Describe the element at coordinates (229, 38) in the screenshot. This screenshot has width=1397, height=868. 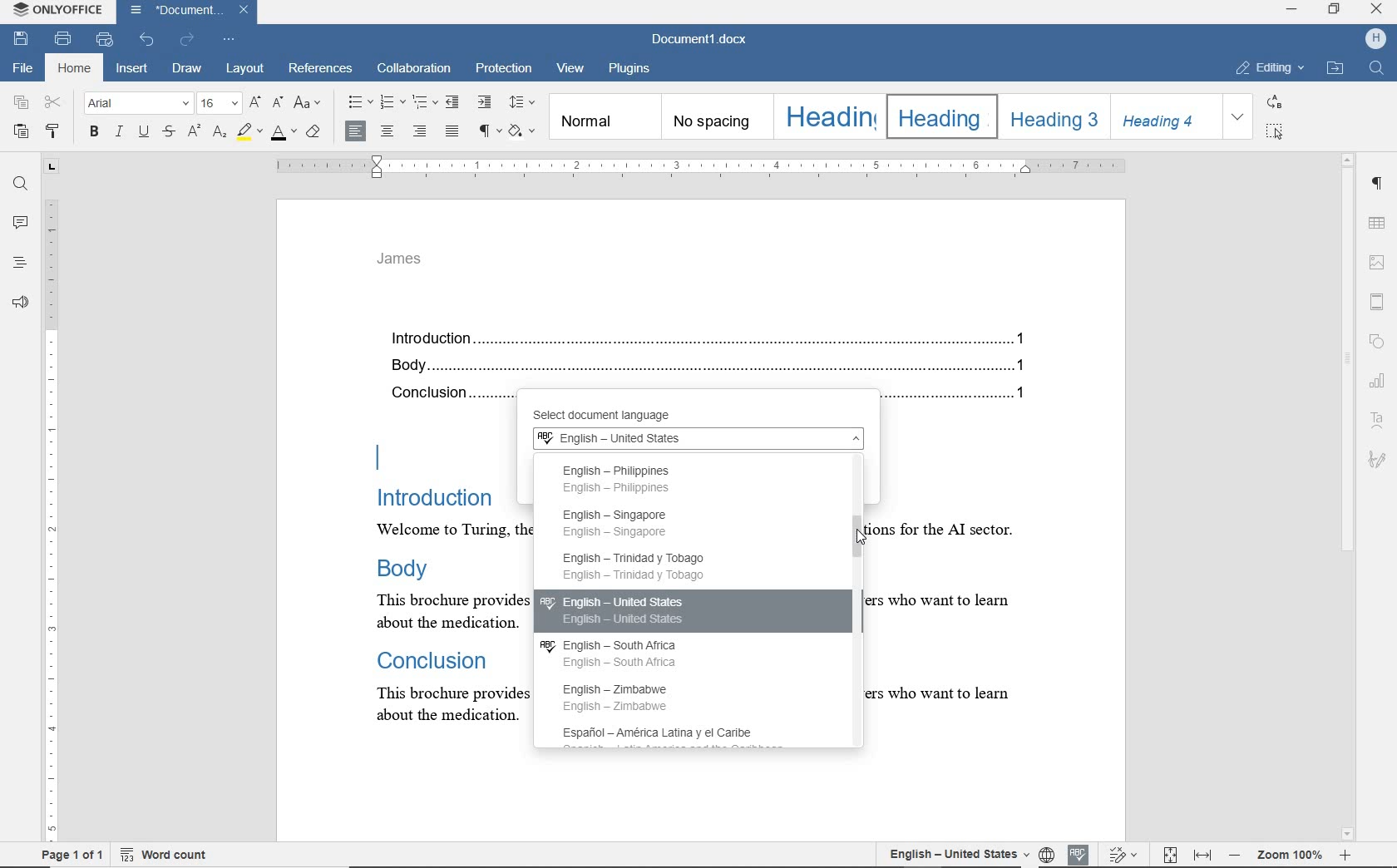
I see `customize quick access toolbar` at that location.